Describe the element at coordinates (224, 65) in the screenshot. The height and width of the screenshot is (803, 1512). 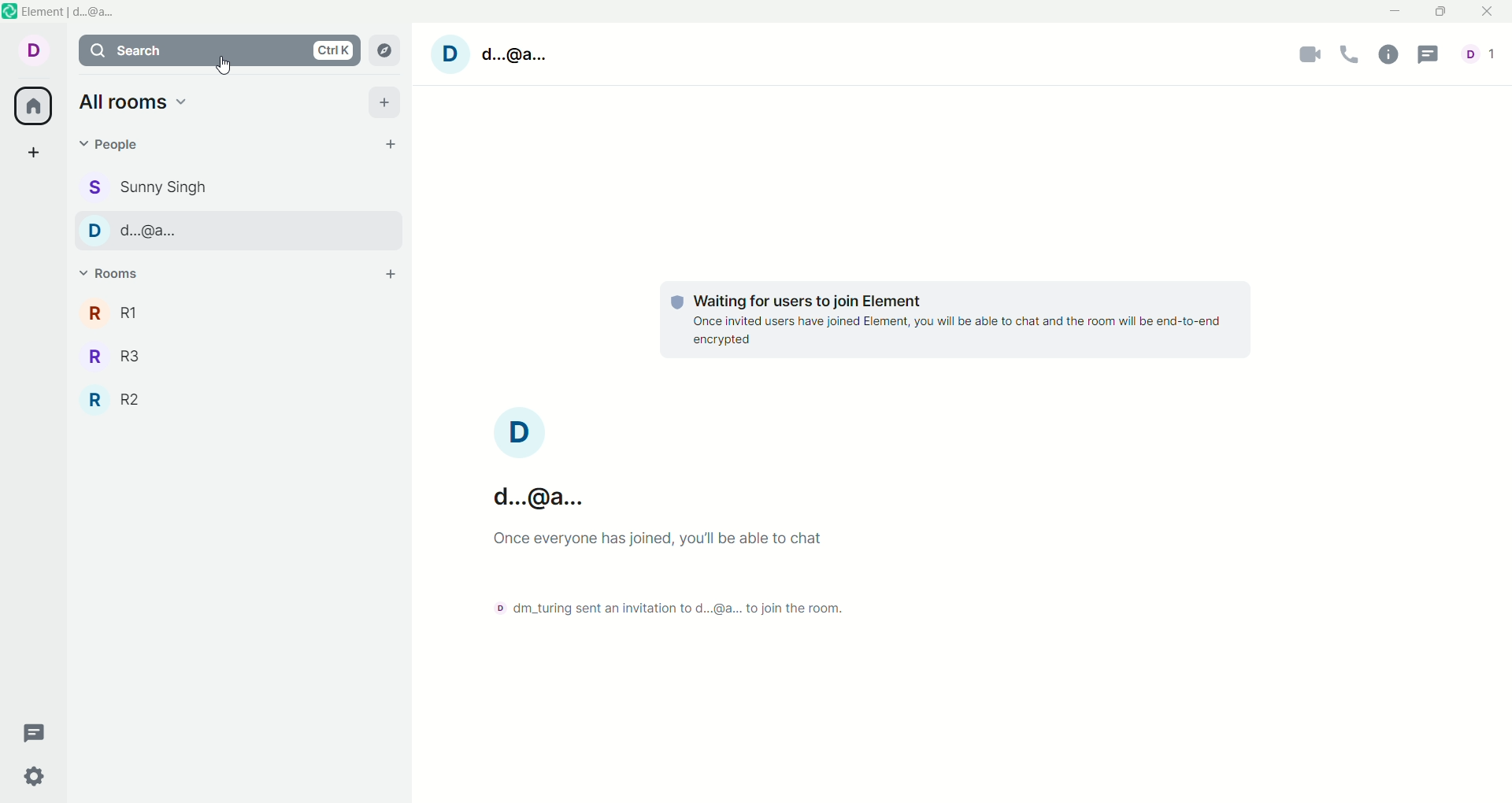
I see `pointer cursor` at that location.